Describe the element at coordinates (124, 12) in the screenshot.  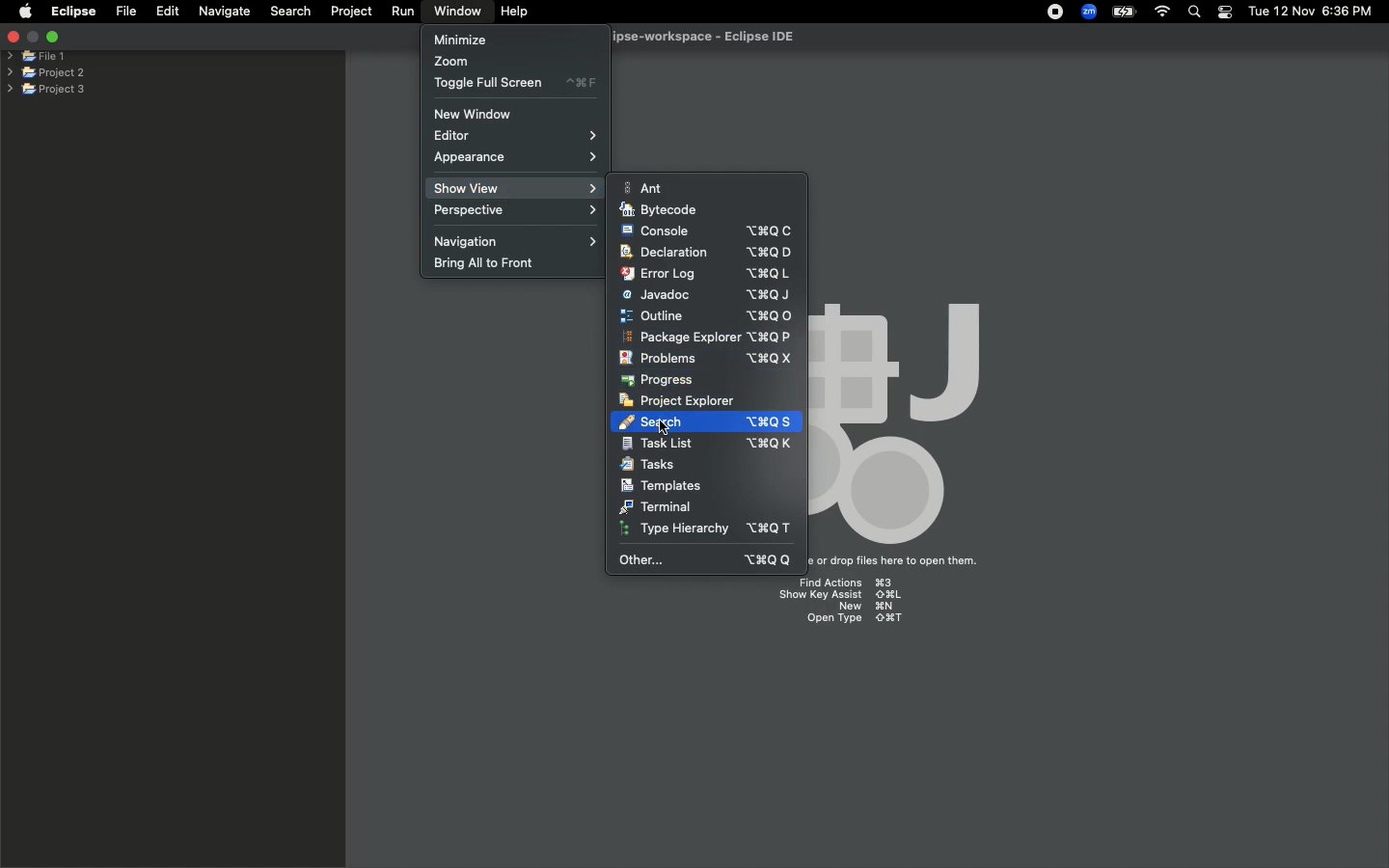
I see `File` at that location.